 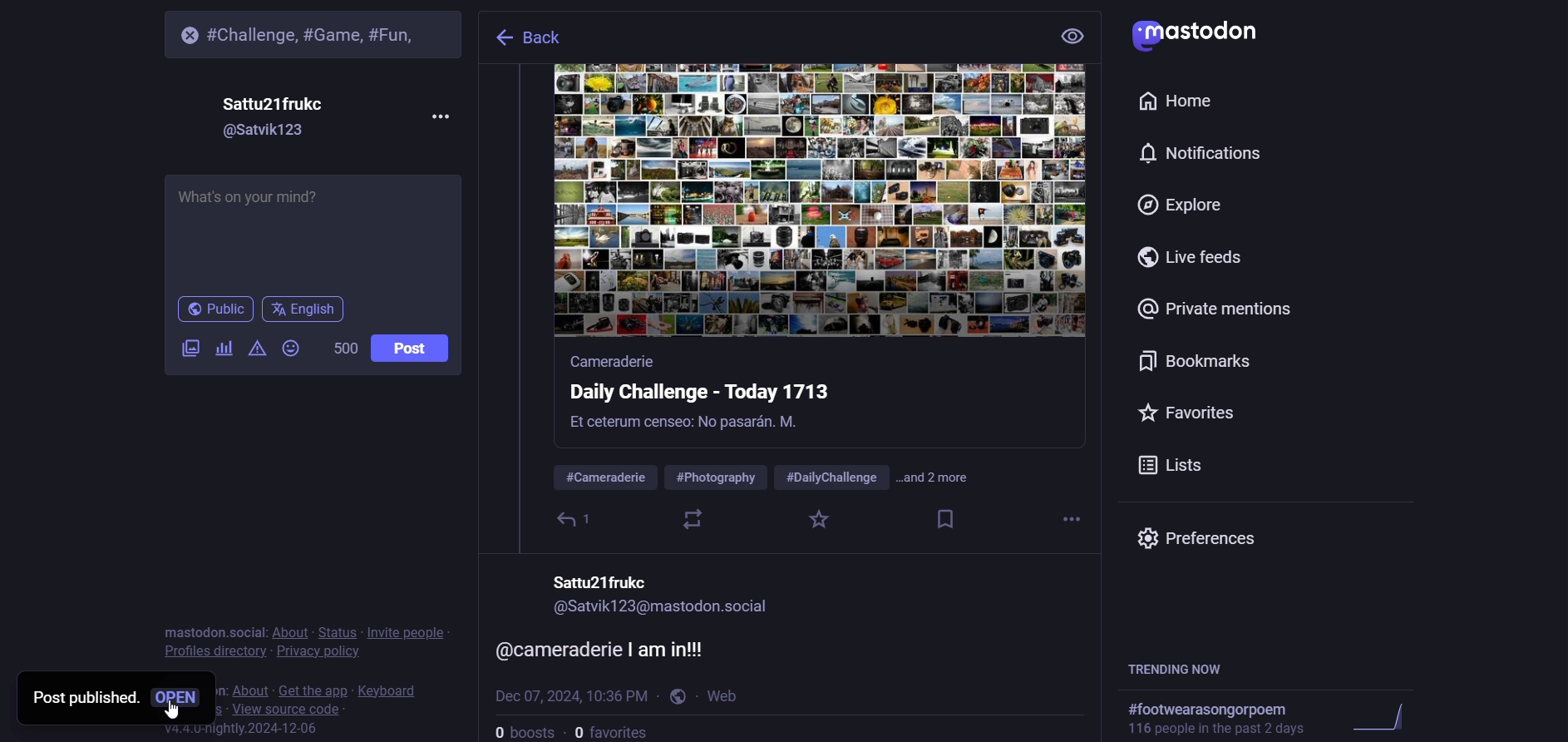 What do you see at coordinates (617, 731) in the screenshot?
I see `favourites` at bounding box center [617, 731].